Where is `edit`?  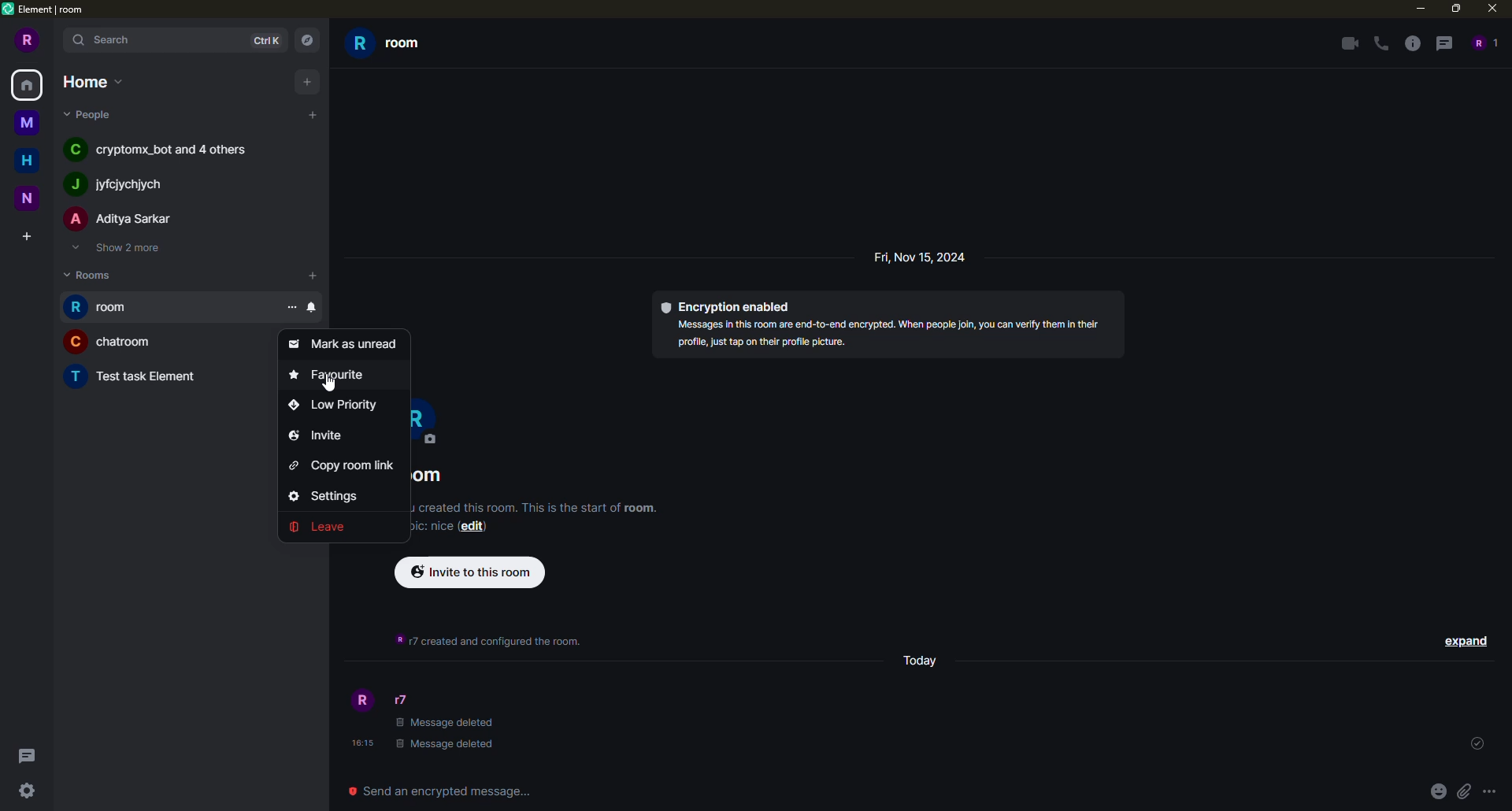
edit is located at coordinates (475, 529).